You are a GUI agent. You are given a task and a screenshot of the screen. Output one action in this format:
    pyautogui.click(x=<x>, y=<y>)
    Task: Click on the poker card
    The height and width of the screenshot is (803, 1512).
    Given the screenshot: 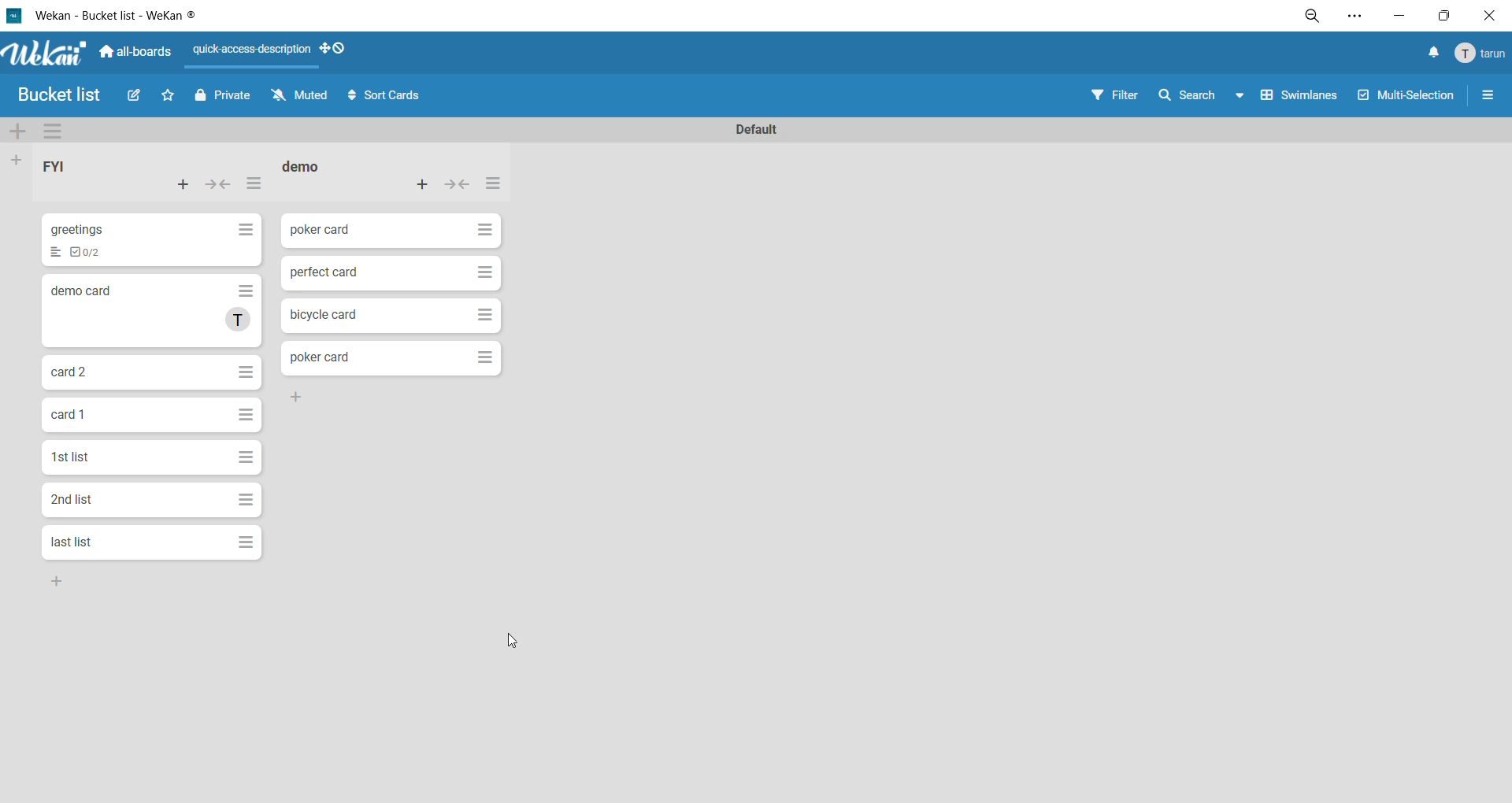 What is the action you would take?
    pyautogui.click(x=317, y=232)
    